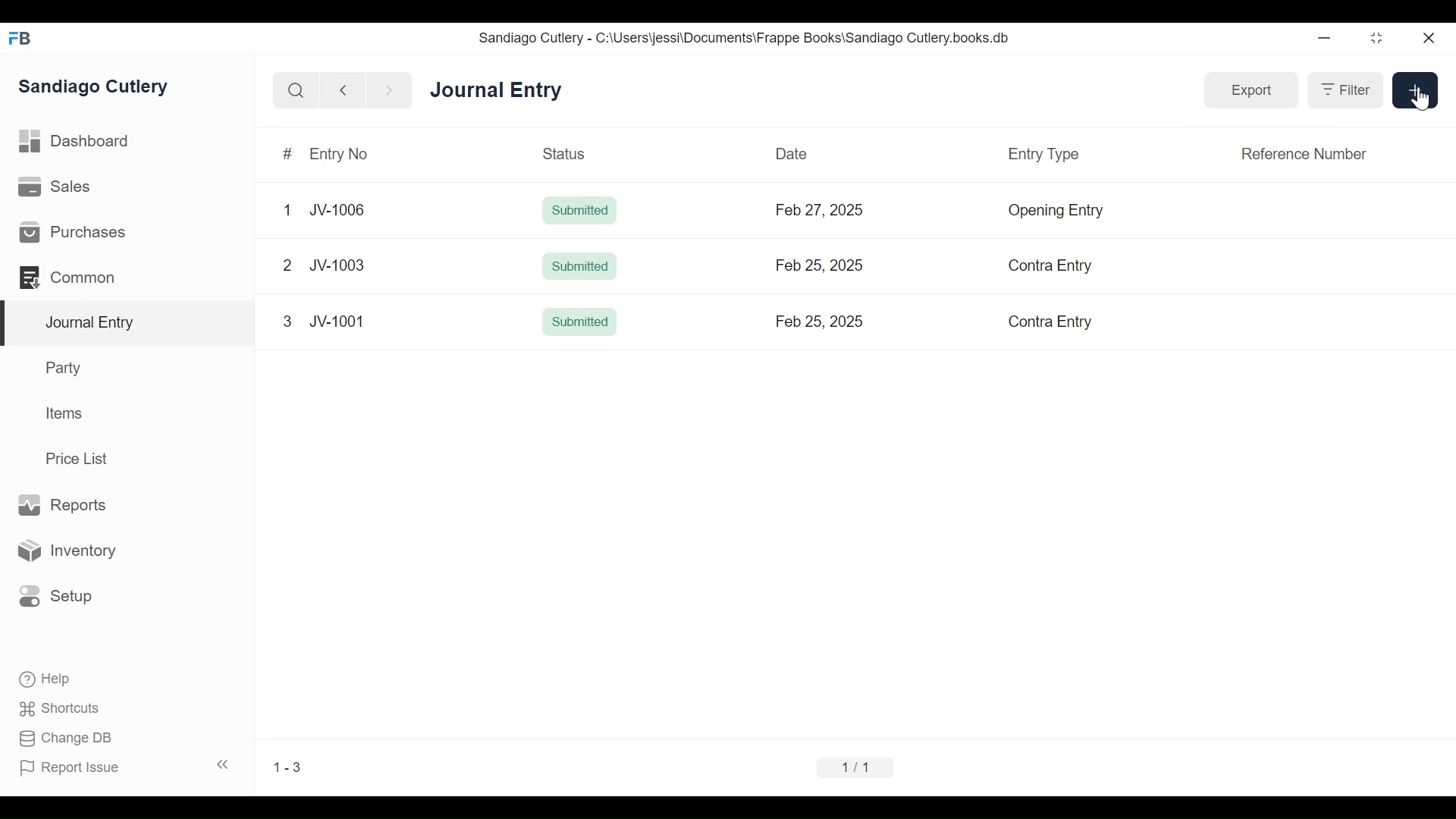 Image resolution: width=1456 pixels, height=819 pixels. What do you see at coordinates (1248, 90) in the screenshot?
I see `export` at bounding box center [1248, 90].